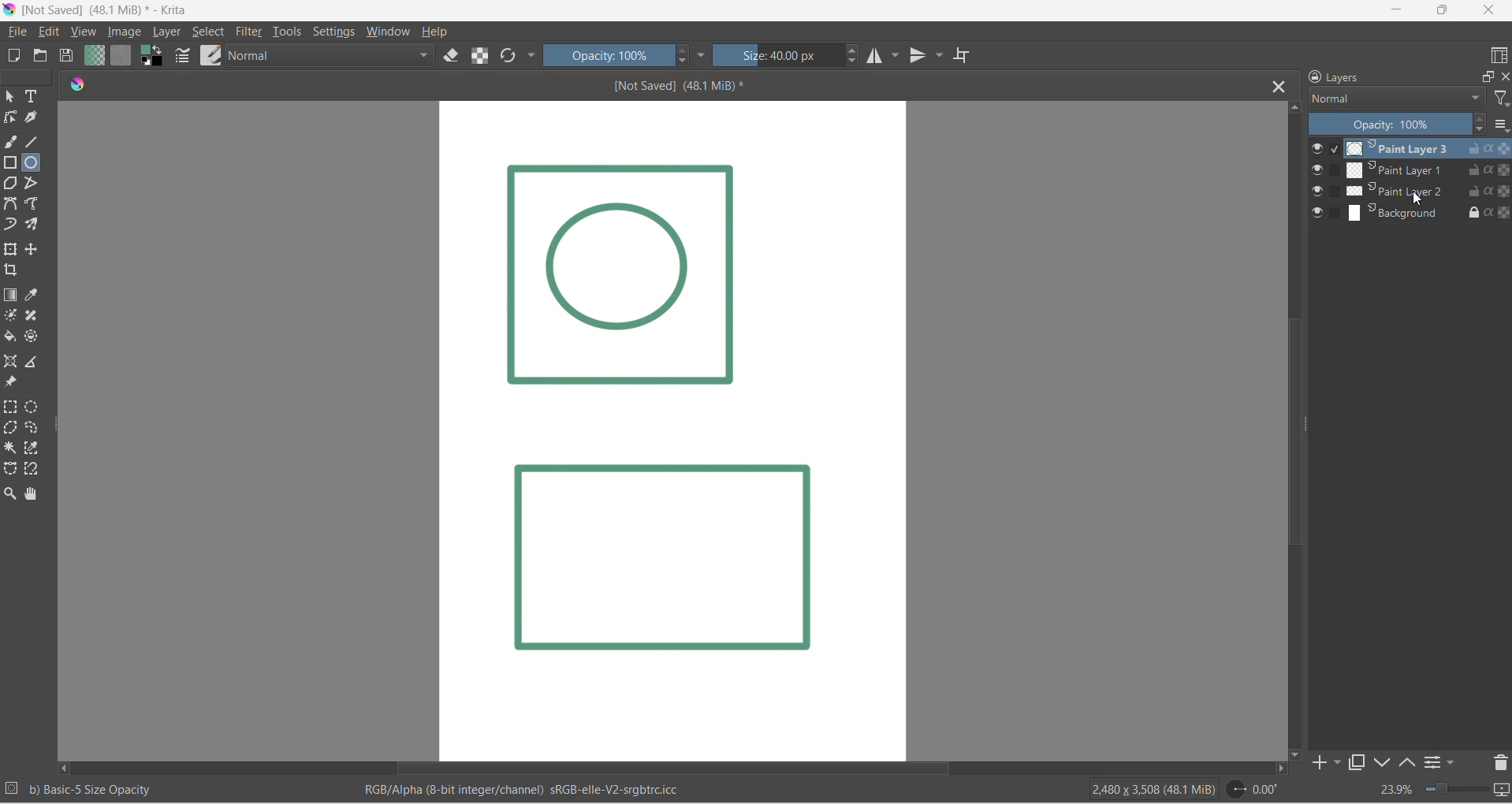  Describe the element at coordinates (1395, 169) in the screenshot. I see `paint layer 1` at that location.